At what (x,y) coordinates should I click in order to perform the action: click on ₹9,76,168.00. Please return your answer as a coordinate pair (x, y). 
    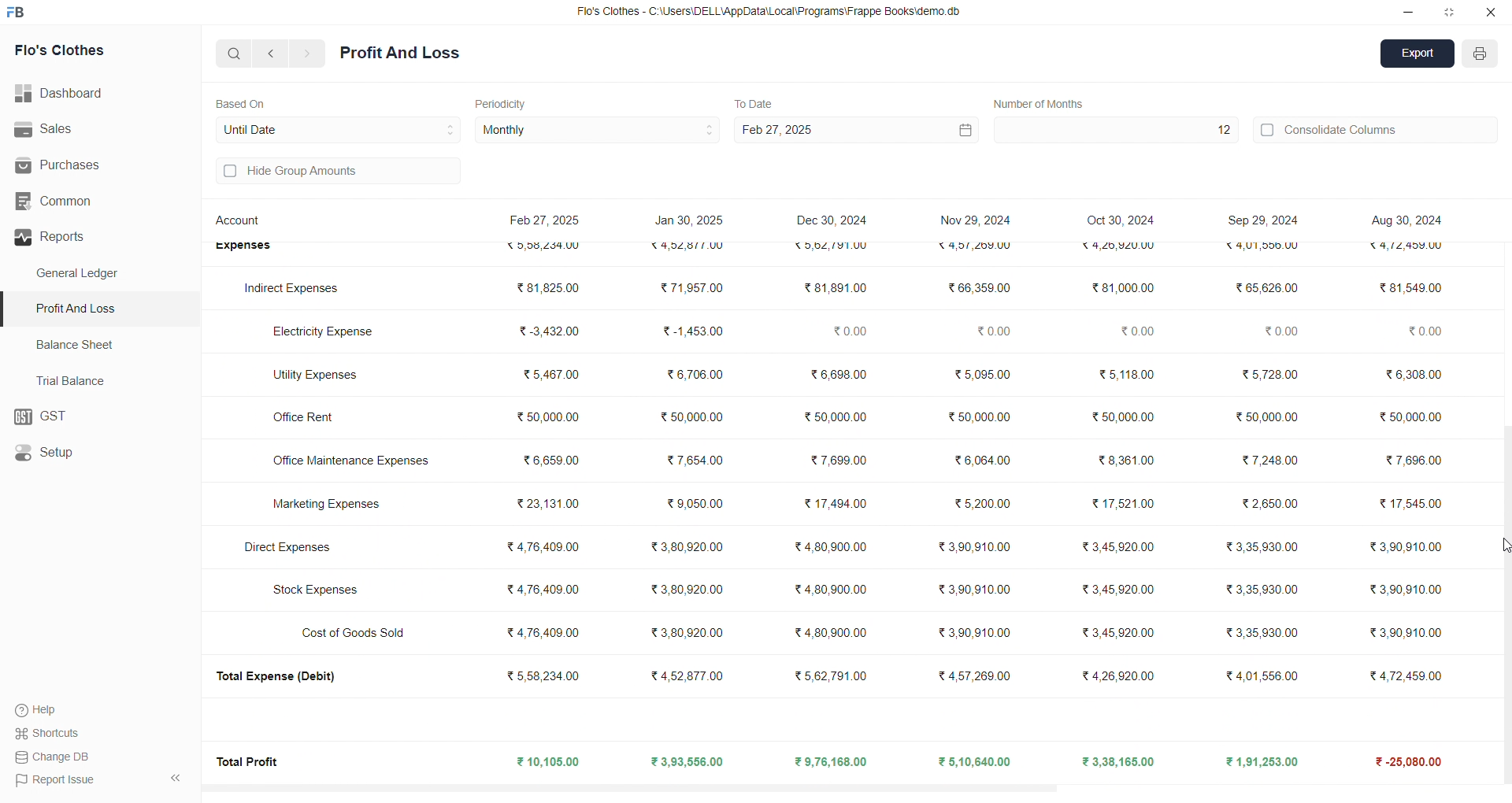
    Looking at the image, I should click on (836, 762).